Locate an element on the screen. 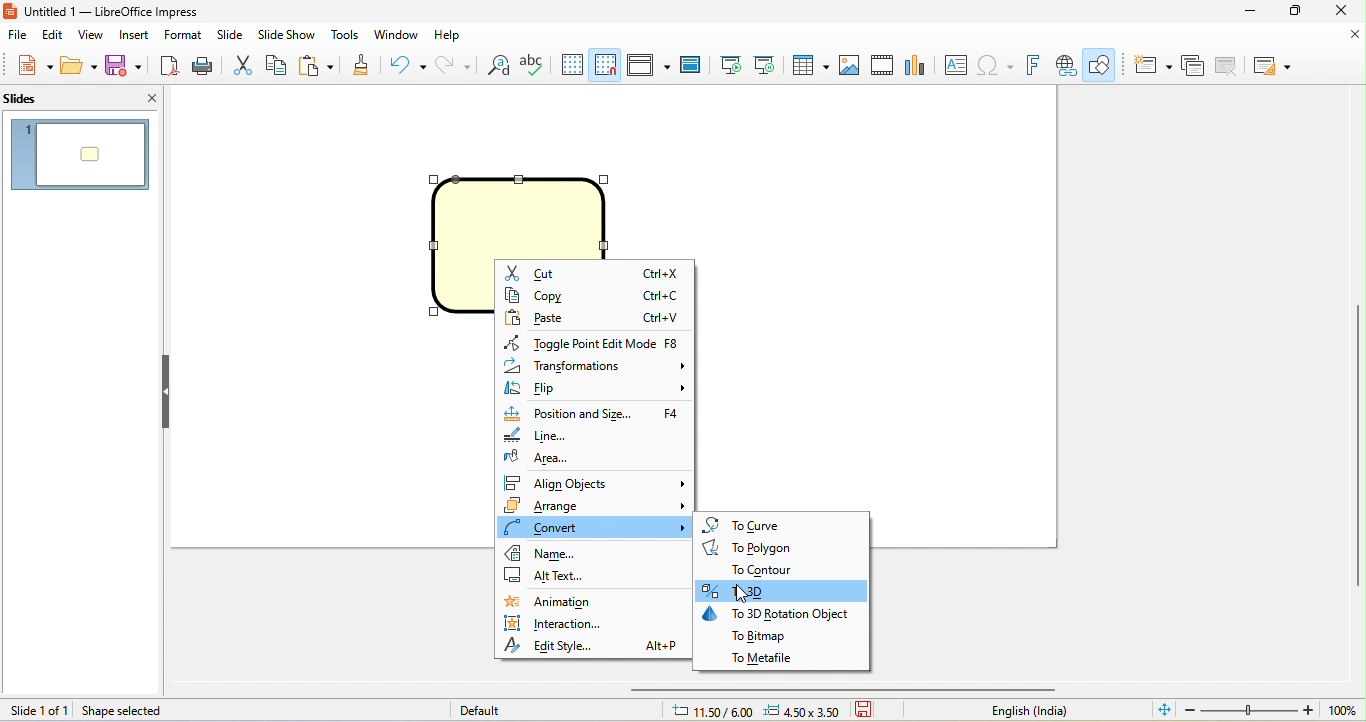 The width and height of the screenshot is (1366, 722). fit slide to current window is located at coordinates (1163, 711).